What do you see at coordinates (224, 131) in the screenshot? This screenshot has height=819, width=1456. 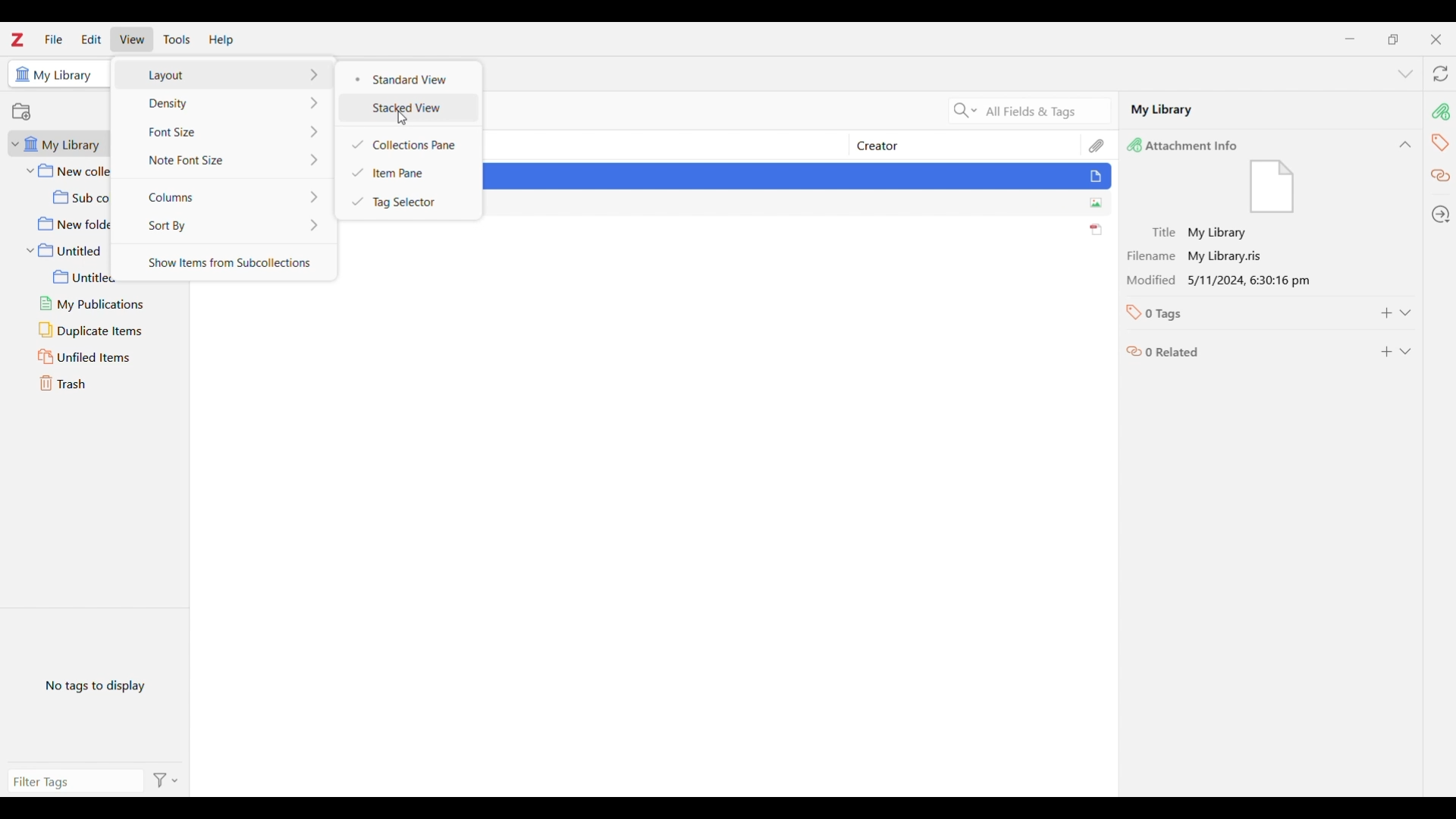 I see `Font size options` at bounding box center [224, 131].